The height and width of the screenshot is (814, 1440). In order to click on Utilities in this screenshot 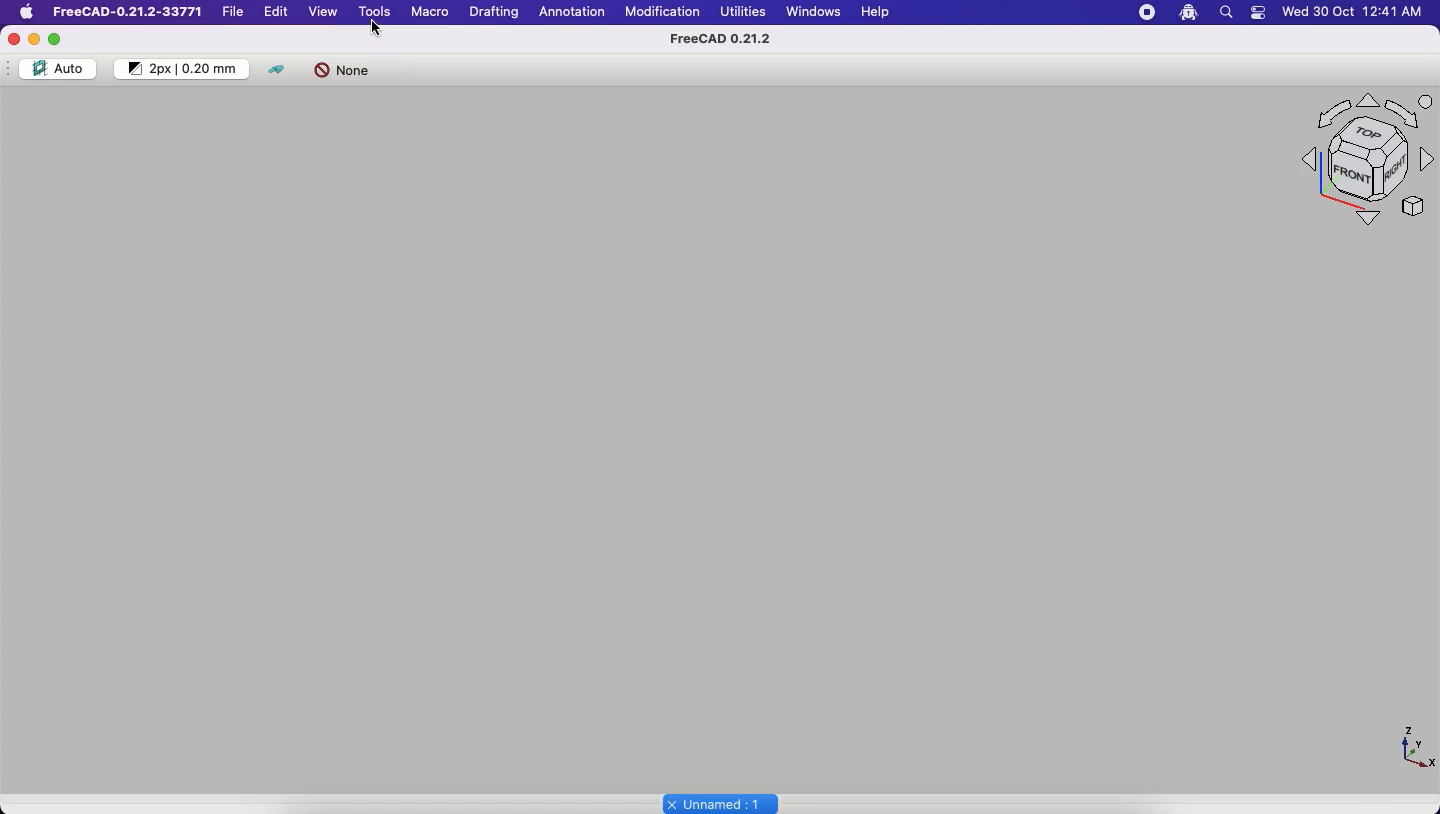, I will do `click(744, 15)`.